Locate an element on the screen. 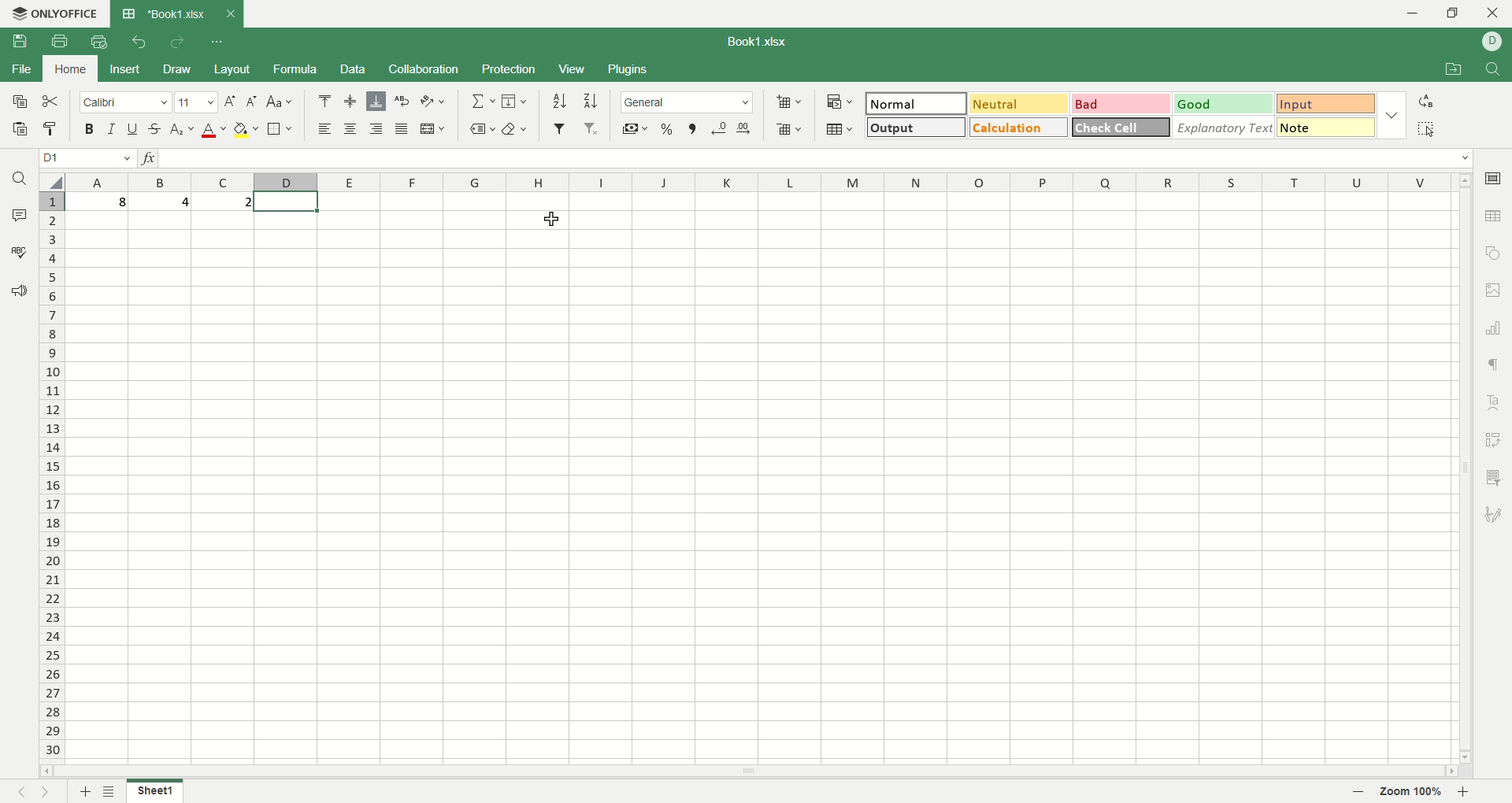 The width and height of the screenshot is (1512, 803). onlyoffice is located at coordinates (53, 13).